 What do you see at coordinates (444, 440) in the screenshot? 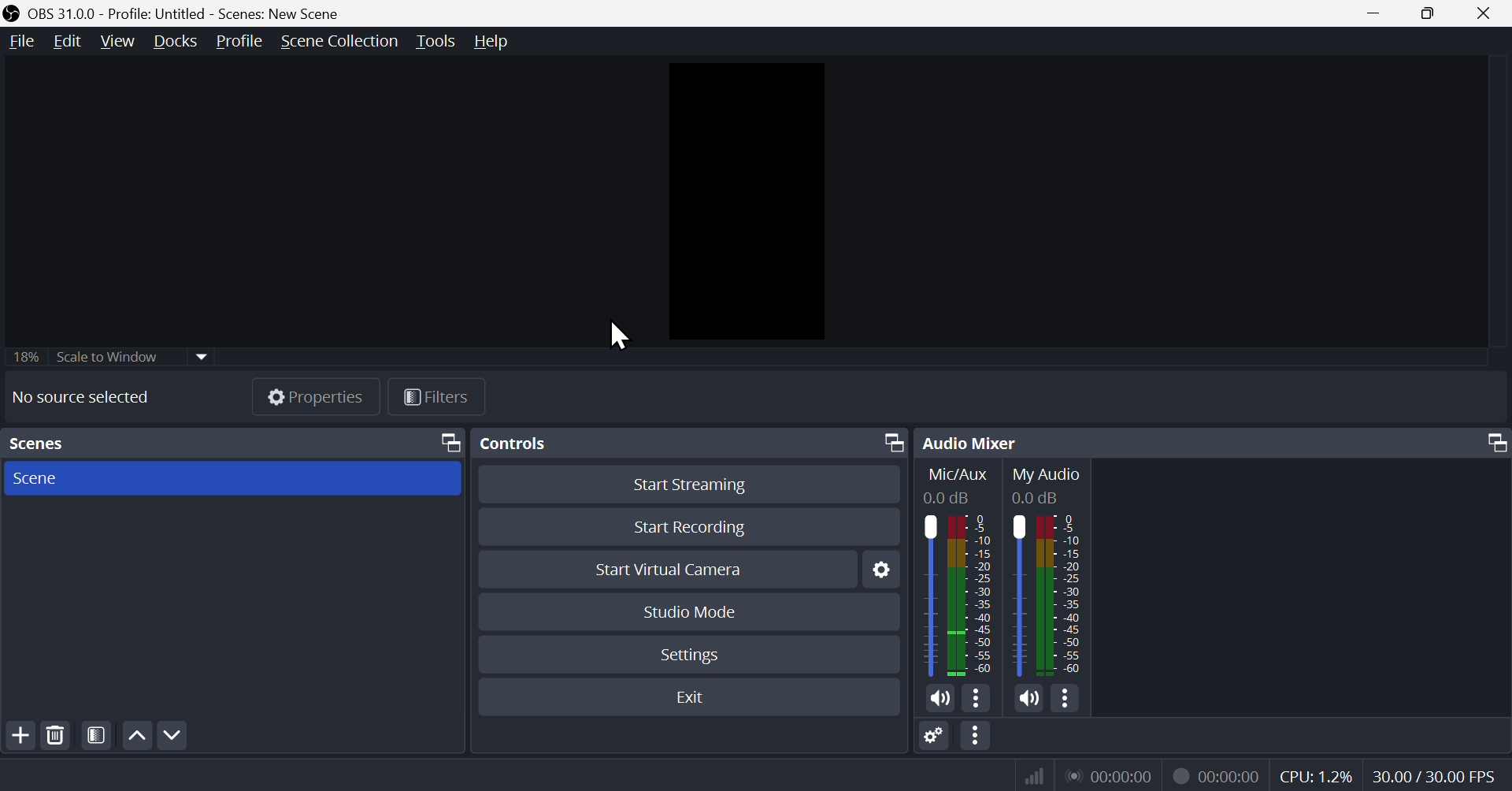
I see `Maximize` at bounding box center [444, 440].